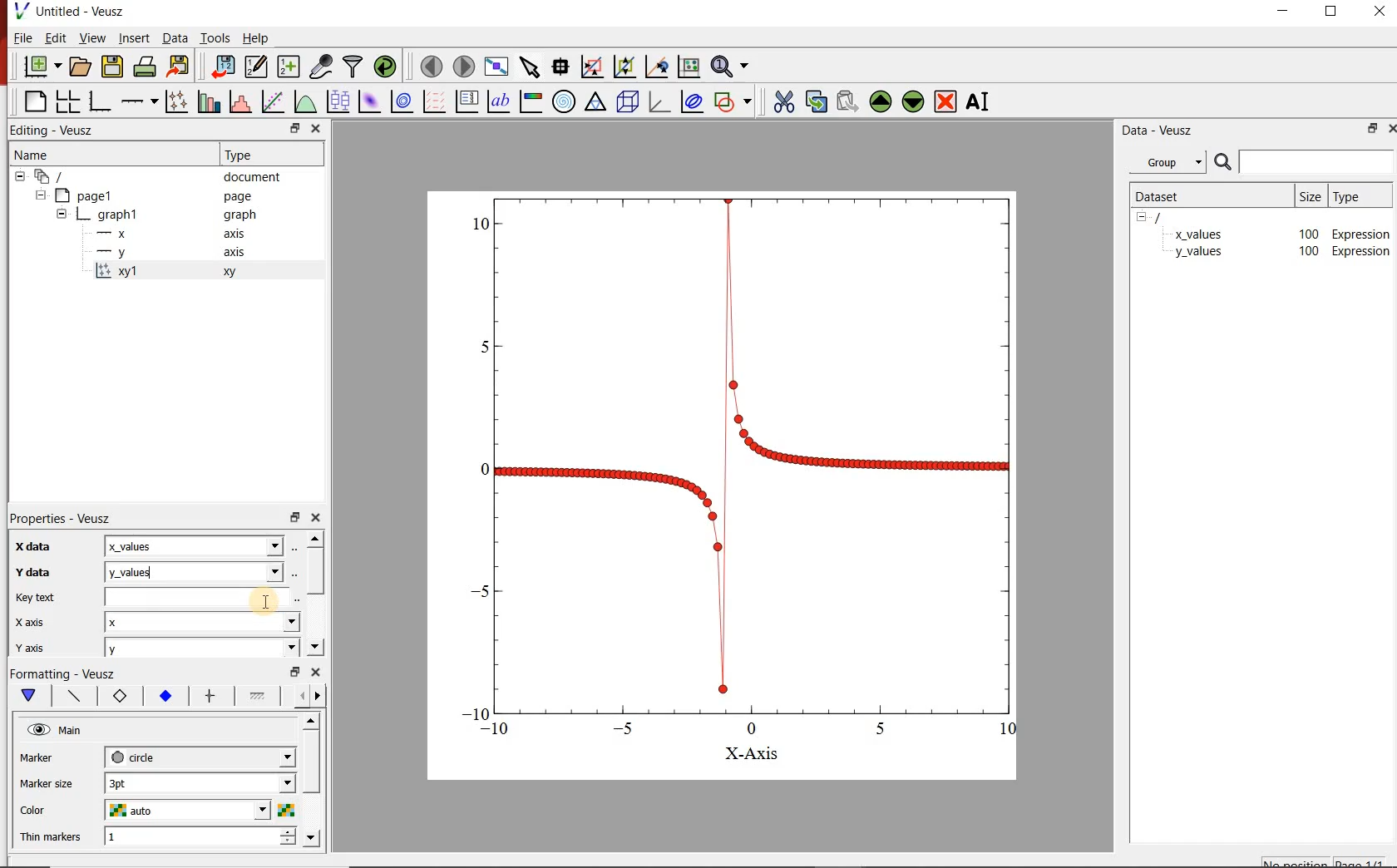 Image resolution: width=1397 pixels, height=868 pixels. What do you see at coordinates (30, 696) in the screenshot?
I see `main formatting` at bounding box center [30, 696].